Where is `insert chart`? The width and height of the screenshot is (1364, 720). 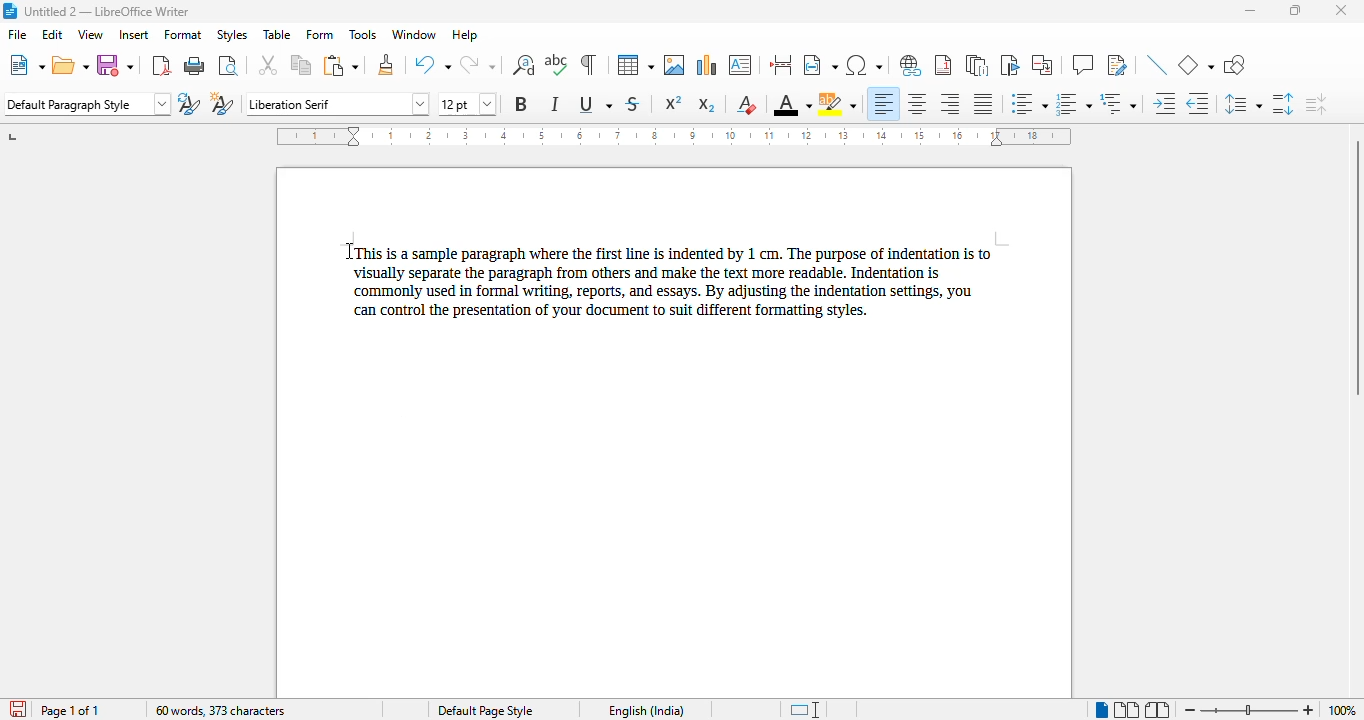
insert chart is located at coordinates (708, 64).